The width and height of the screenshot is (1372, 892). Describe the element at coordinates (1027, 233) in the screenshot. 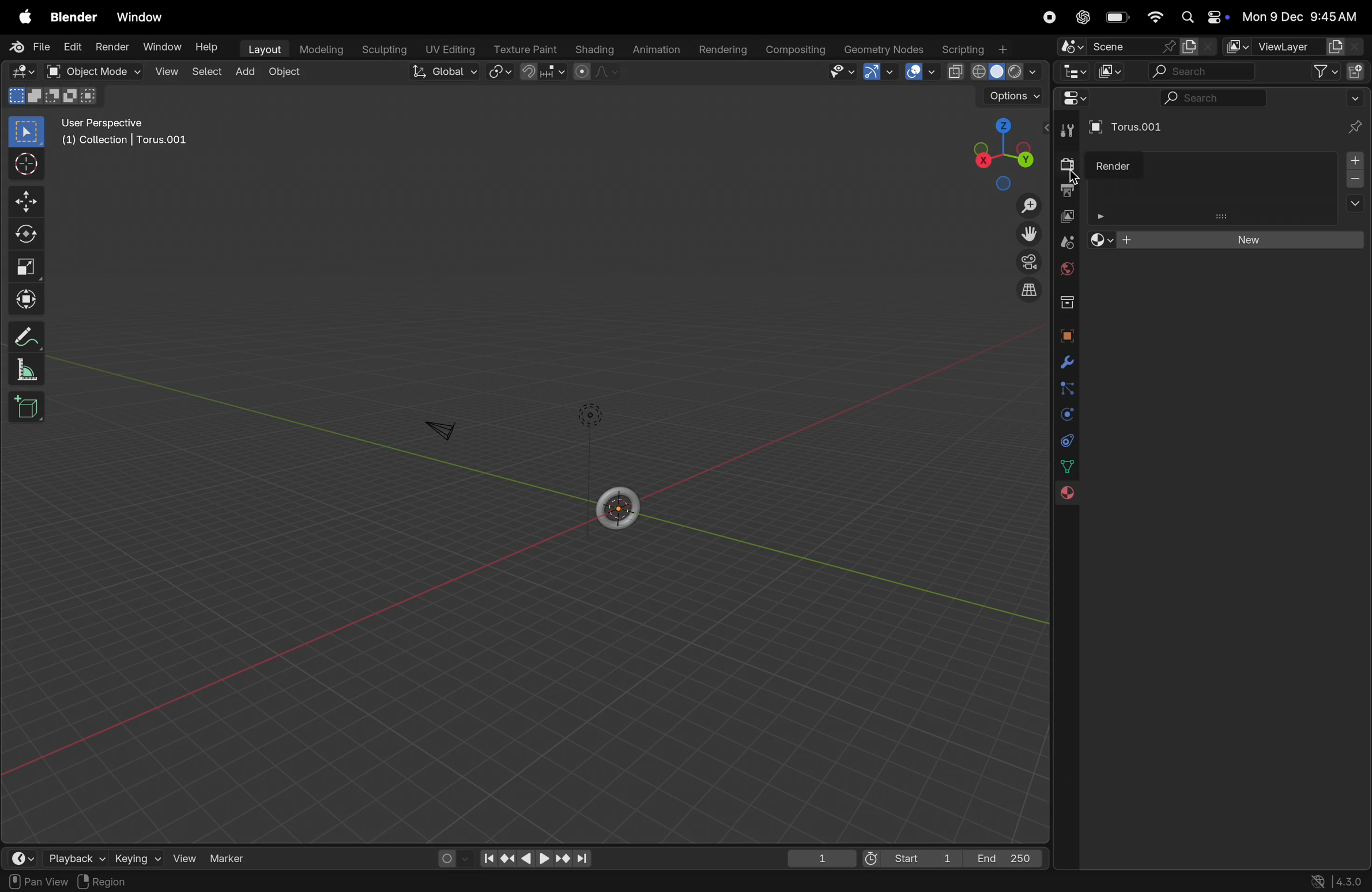

I see `Toggle view` at that location.